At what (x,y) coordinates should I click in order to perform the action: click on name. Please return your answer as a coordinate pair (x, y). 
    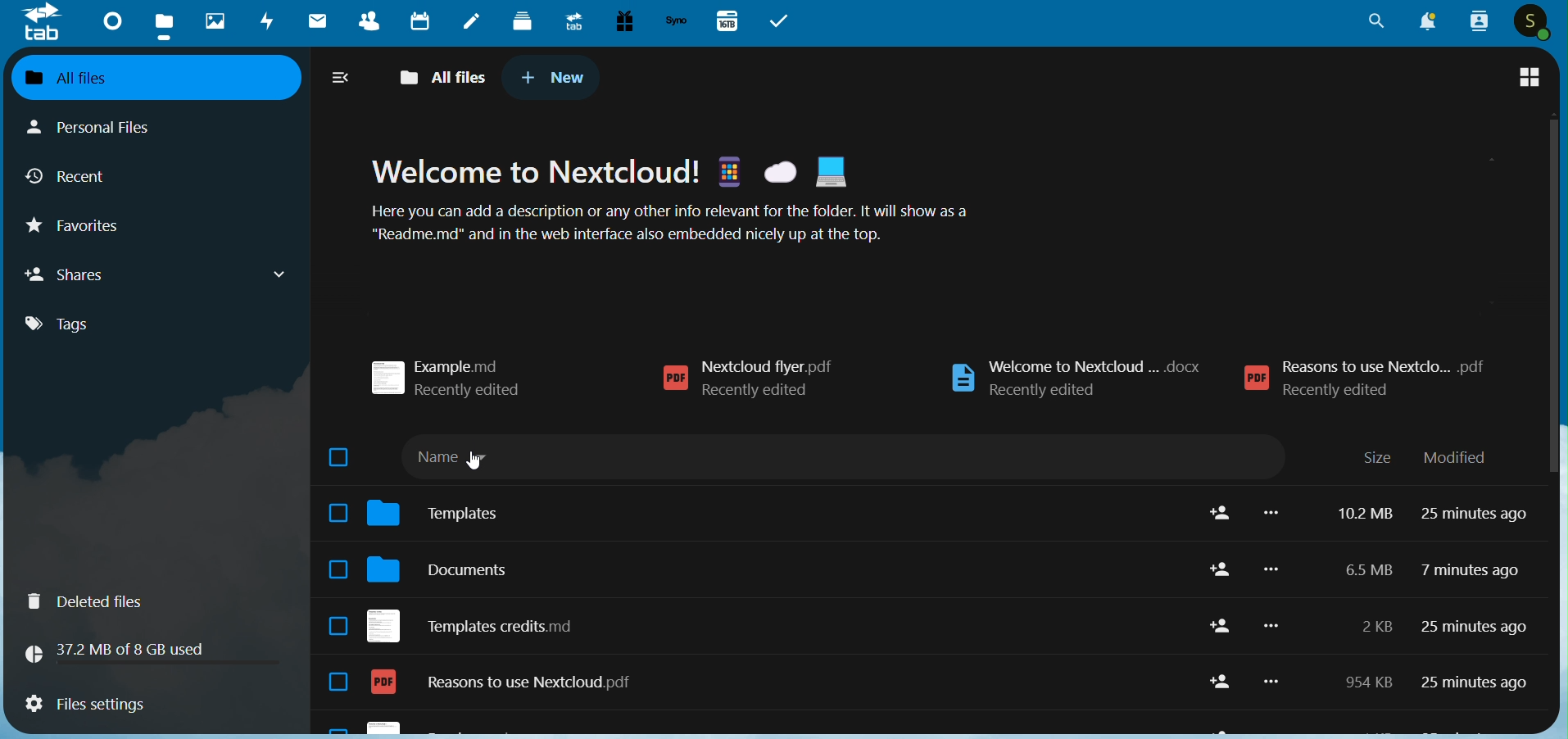
    Looking at the image, I should click on (468, 462).